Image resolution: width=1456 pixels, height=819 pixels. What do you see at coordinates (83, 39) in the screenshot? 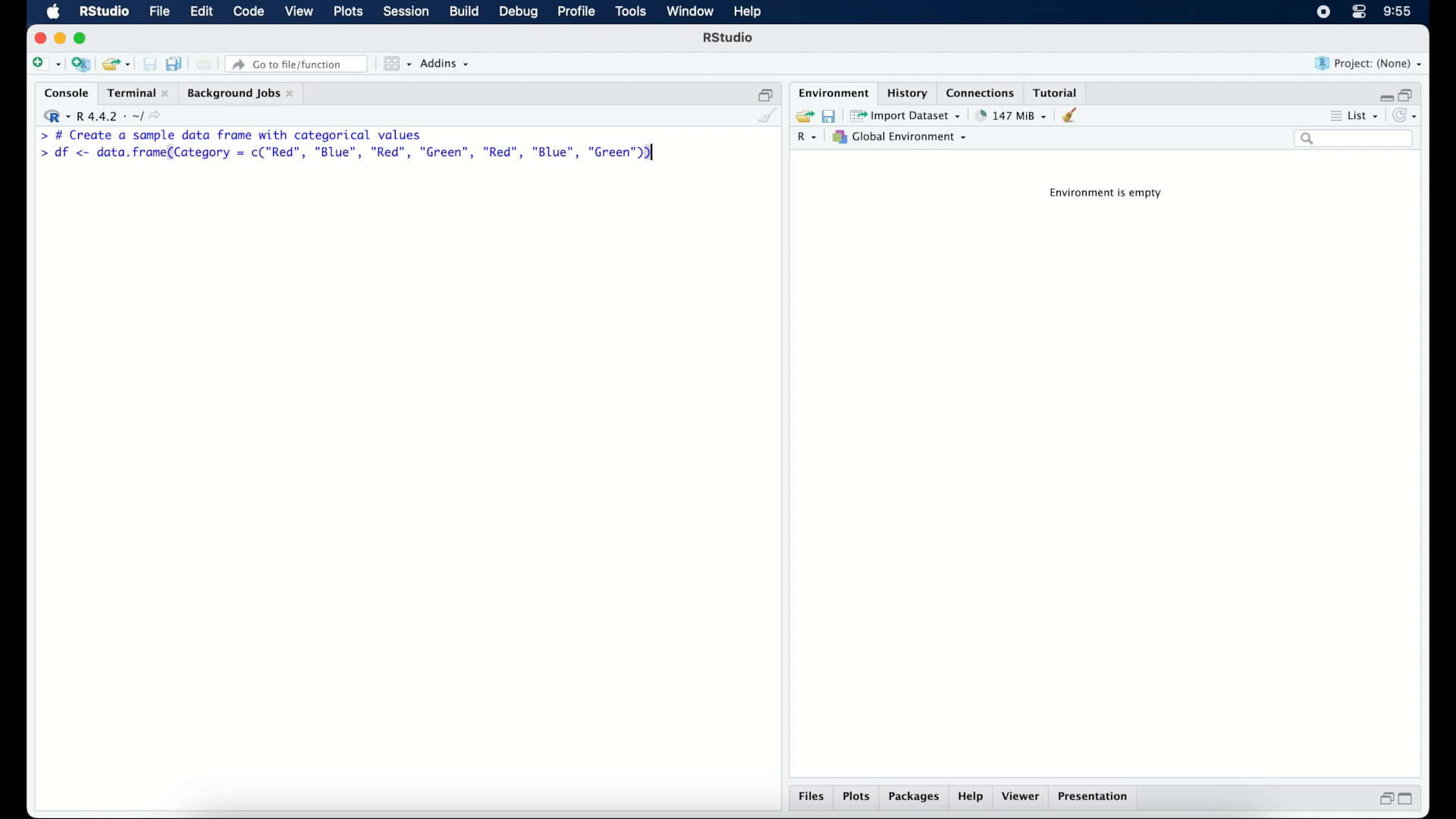
I see `maximize` at bounding box center [83, 39].